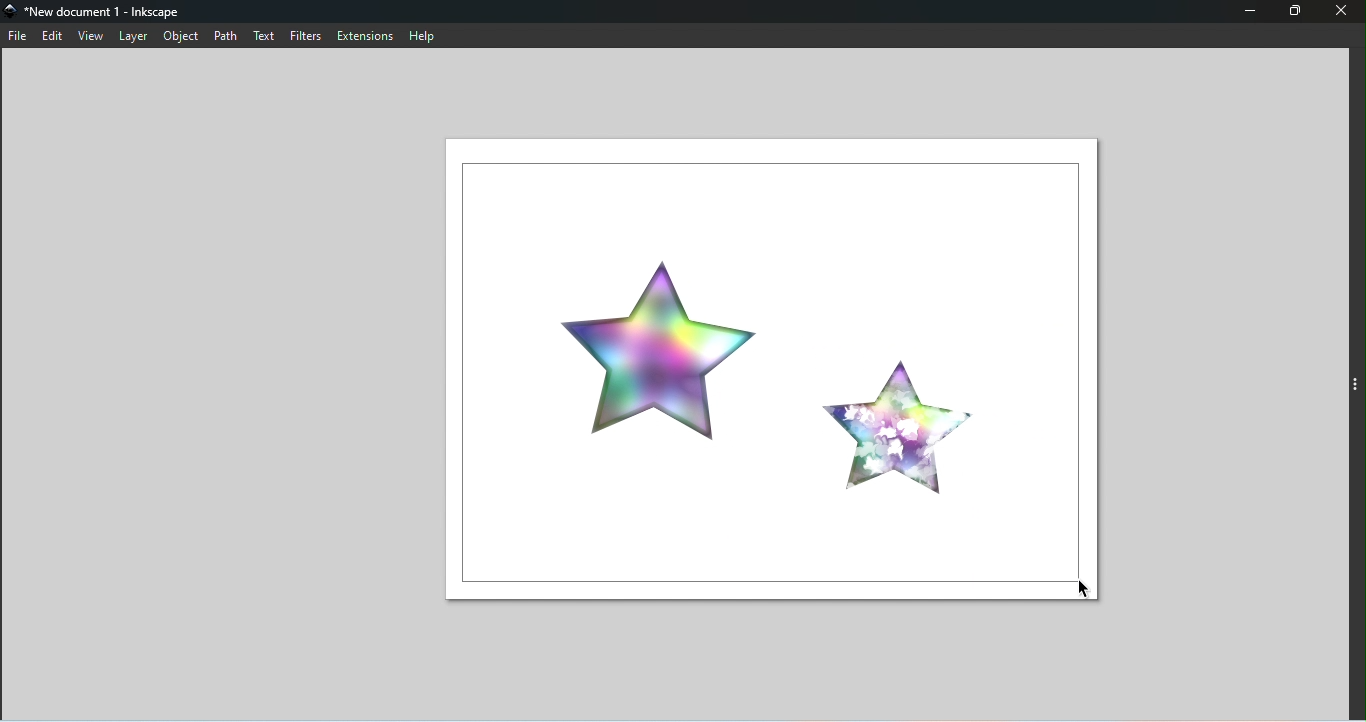 The image size is (1366, 722). What do you see at coordinates (310, 35) in the screenshot?
I see `Filters` at bounding box center [310, 35].